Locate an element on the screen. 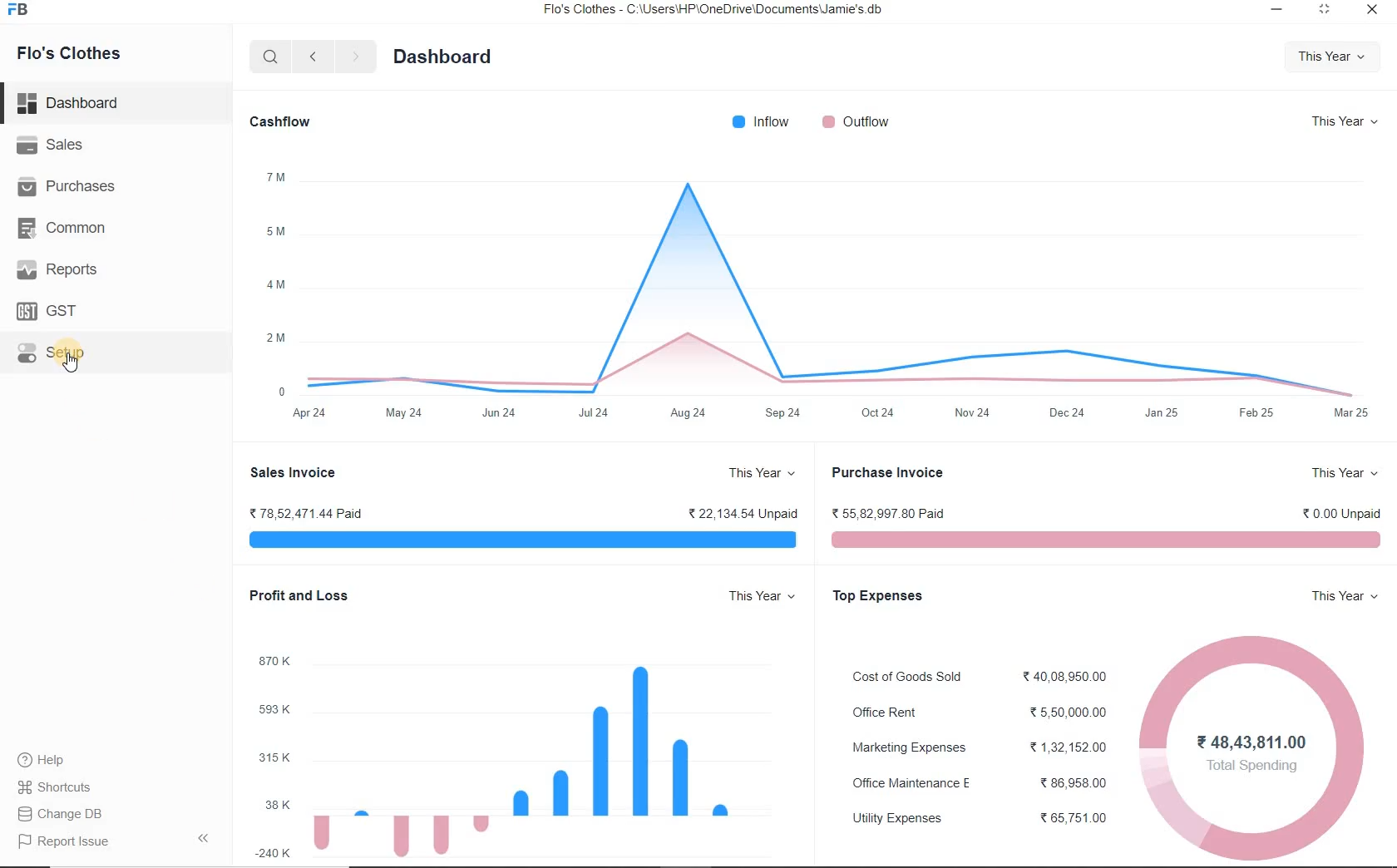  1,32,152.00 is located at coordinates (1069, 750).